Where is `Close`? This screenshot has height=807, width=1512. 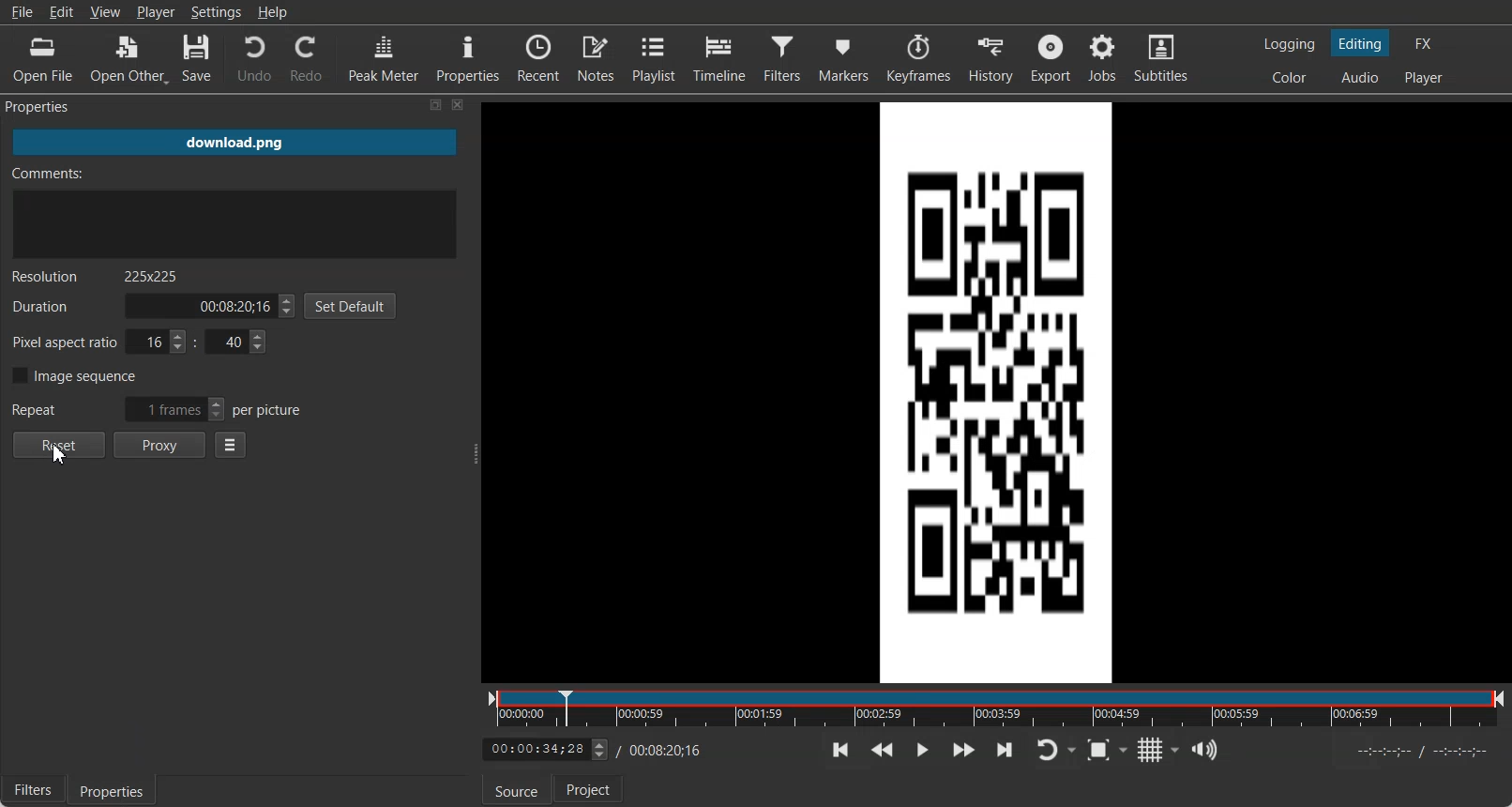
Close is located at coordinates (459, 105).